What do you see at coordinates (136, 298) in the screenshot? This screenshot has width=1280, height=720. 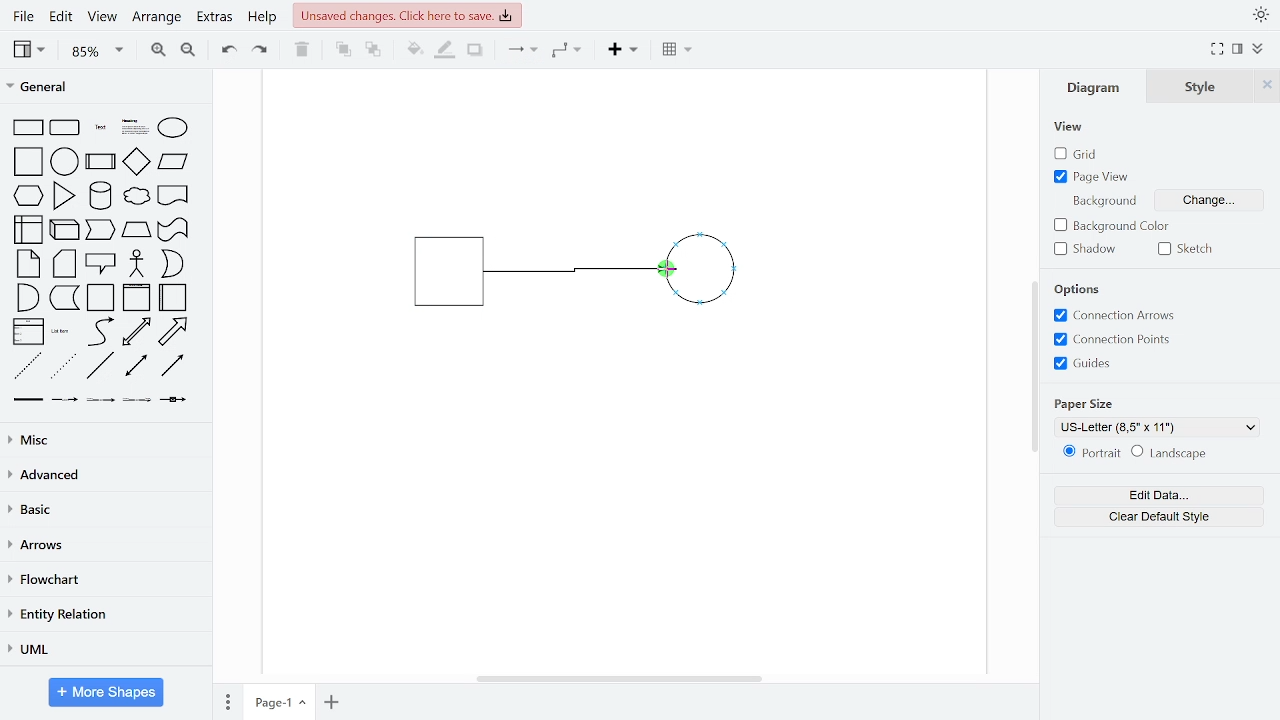 I see `vertical container` at bounding box center [136, 298].